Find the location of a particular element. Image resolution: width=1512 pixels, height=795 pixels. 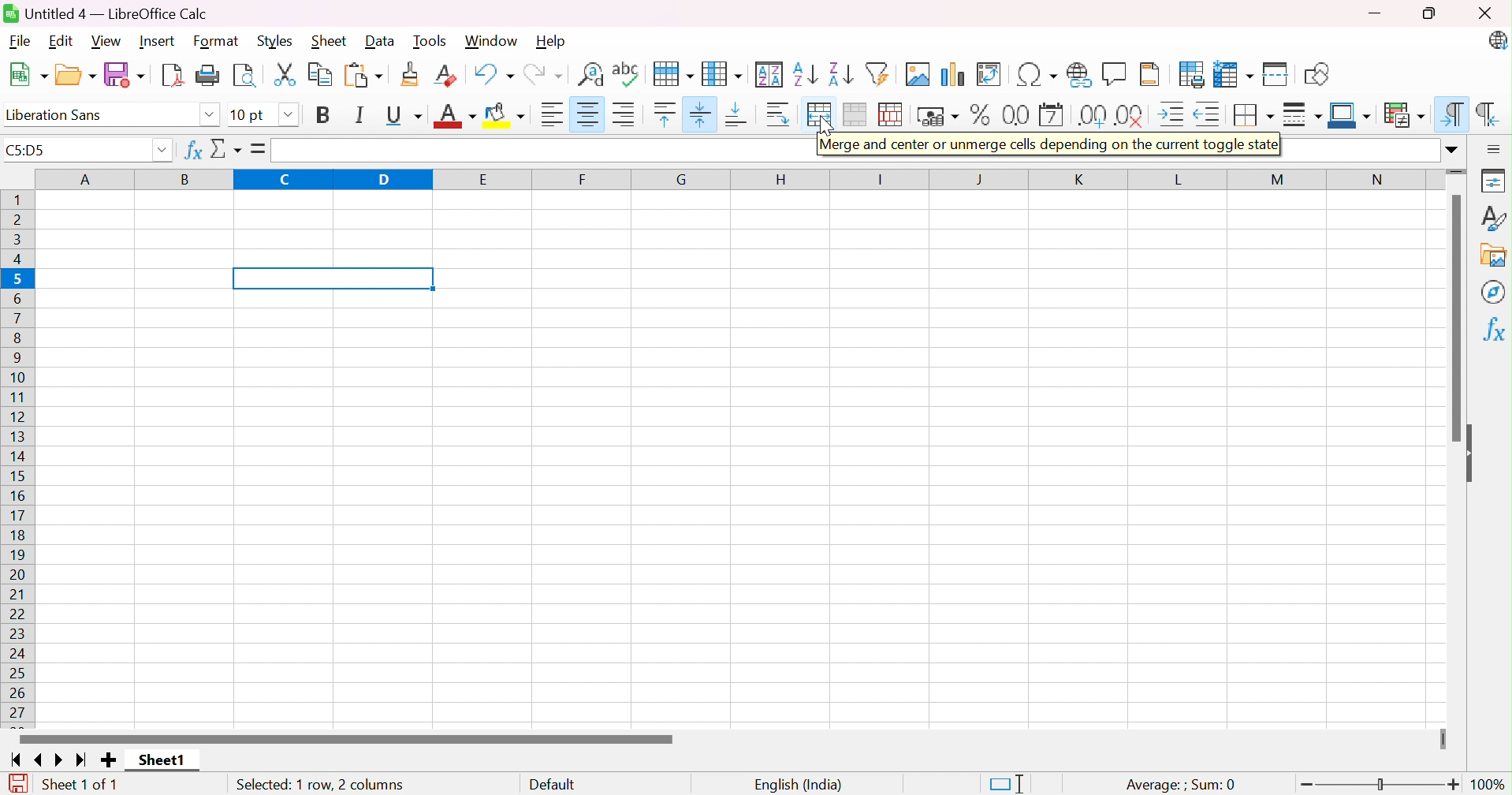

Sort Descending is located at coordinates (840, 71).